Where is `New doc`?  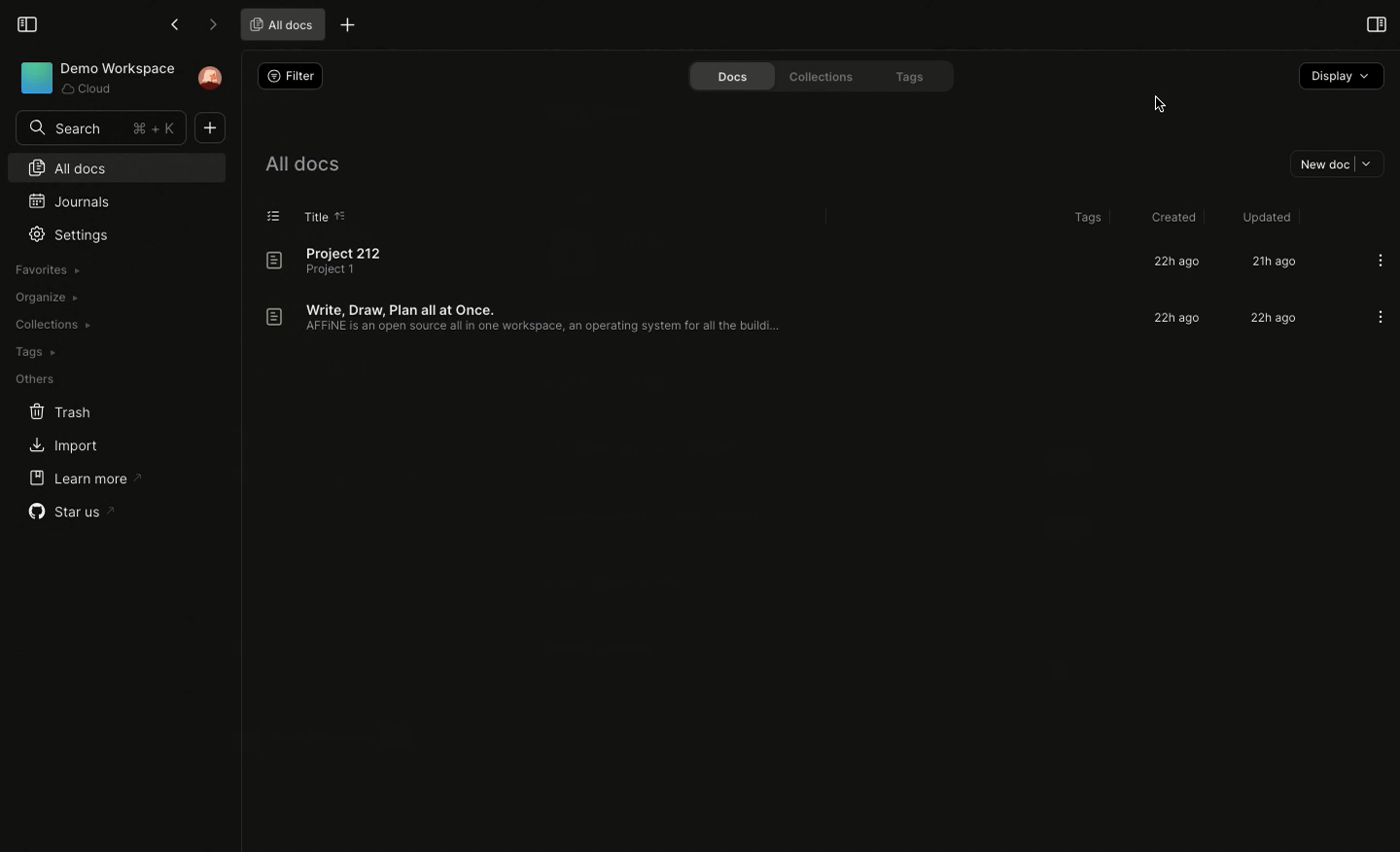
New doc is located at coordinates (209, 129).